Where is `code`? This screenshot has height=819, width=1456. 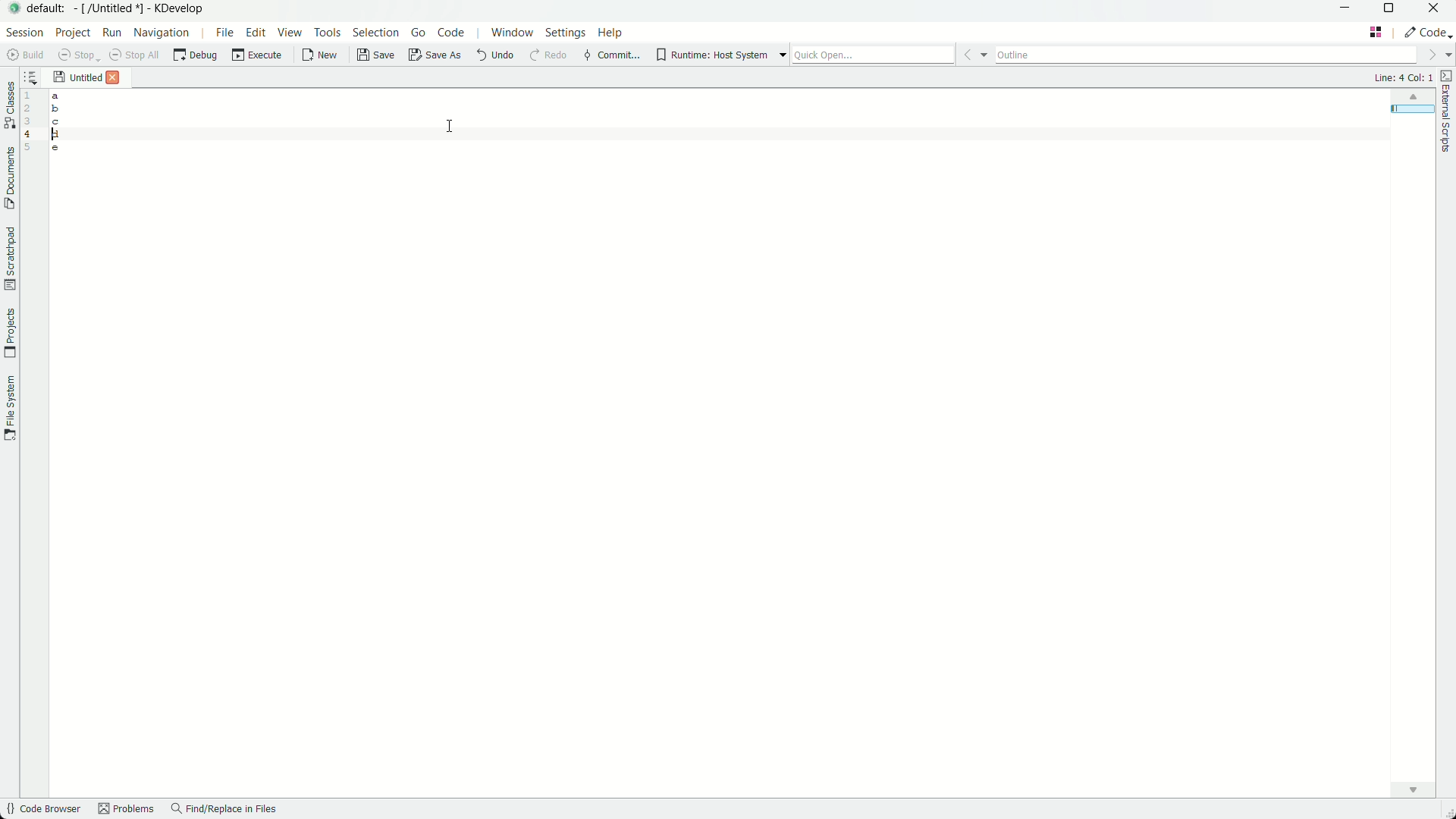
code is located at coordinates (454, 35).